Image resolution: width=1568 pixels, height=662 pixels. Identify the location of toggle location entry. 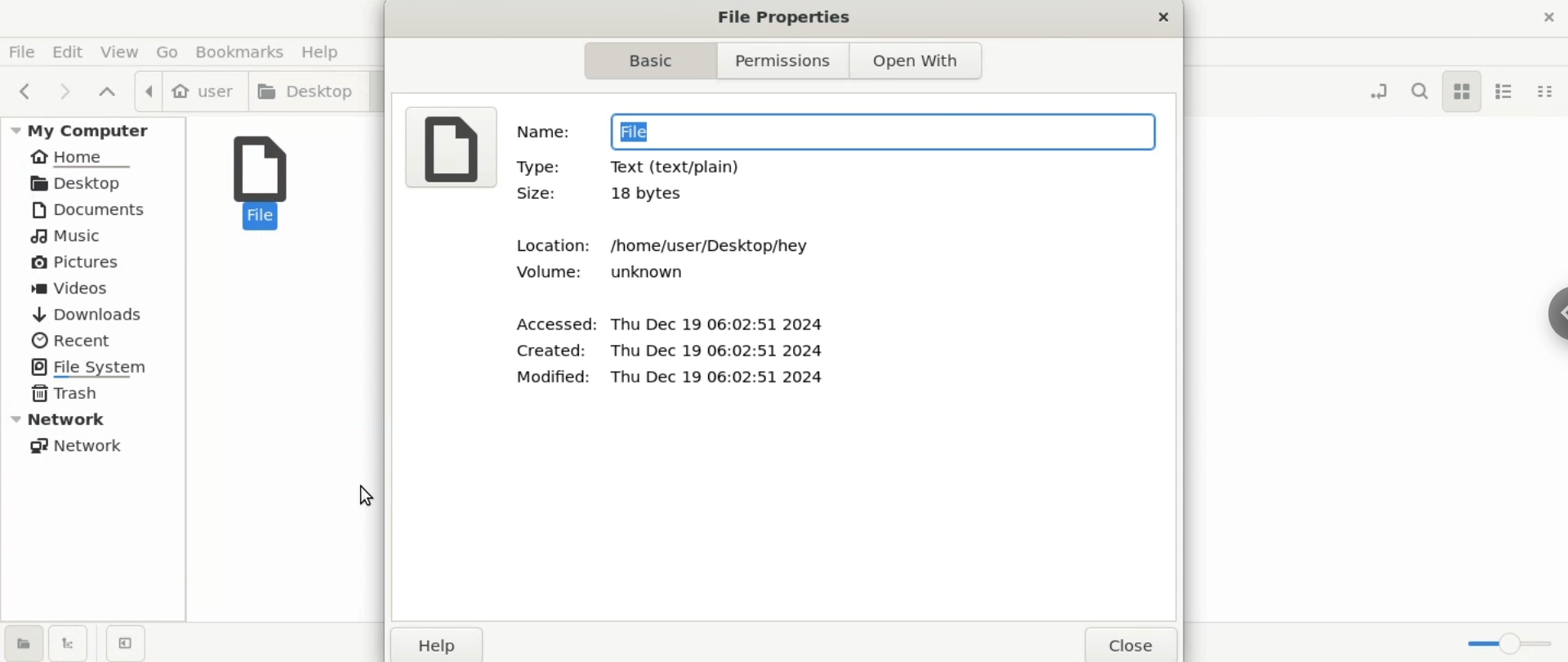
(1373, 91).